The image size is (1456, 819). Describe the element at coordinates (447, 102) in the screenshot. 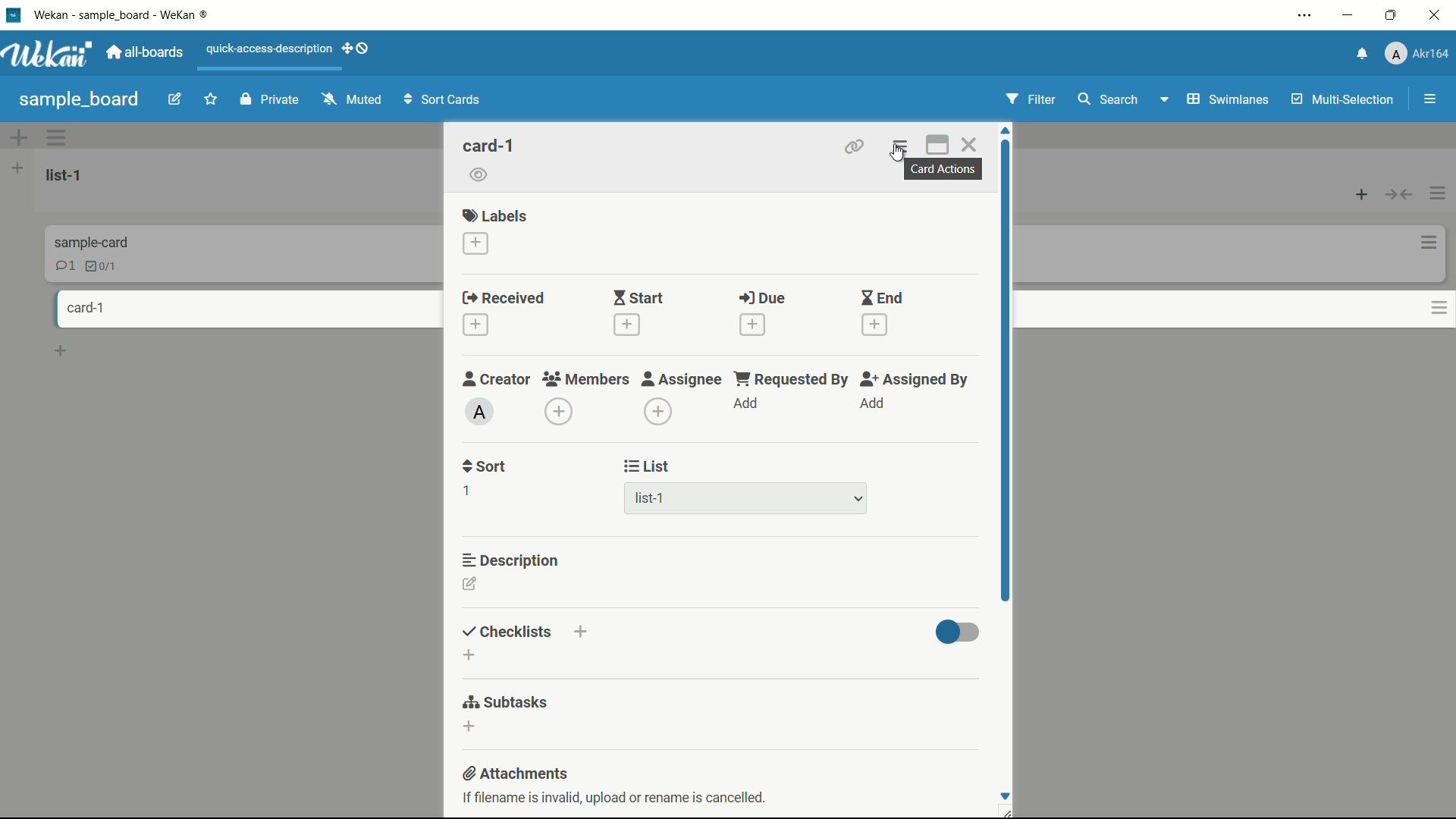

I see `sort cards` at that location.